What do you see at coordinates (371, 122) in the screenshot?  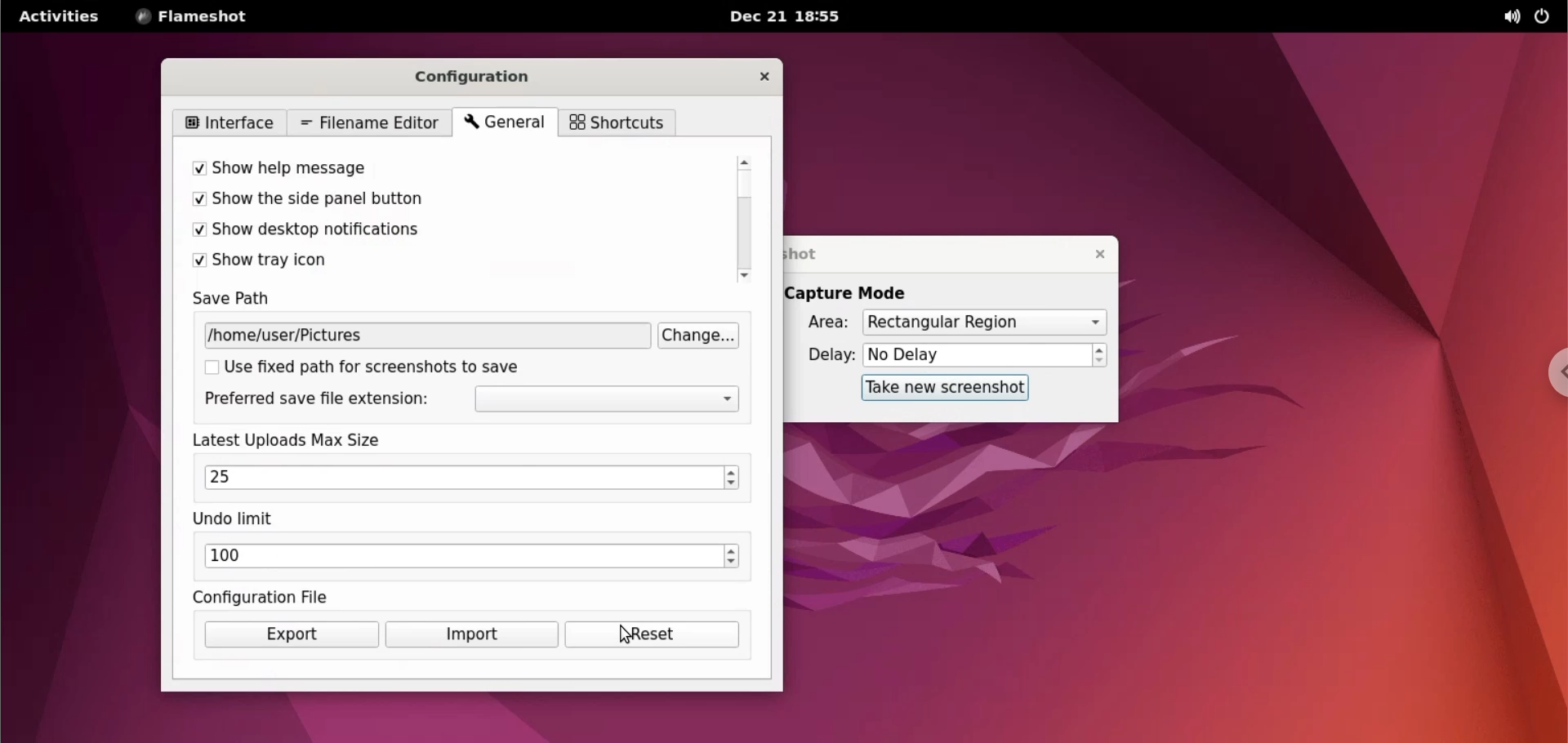 I see `filename editor` at bounding box center [371, 122].